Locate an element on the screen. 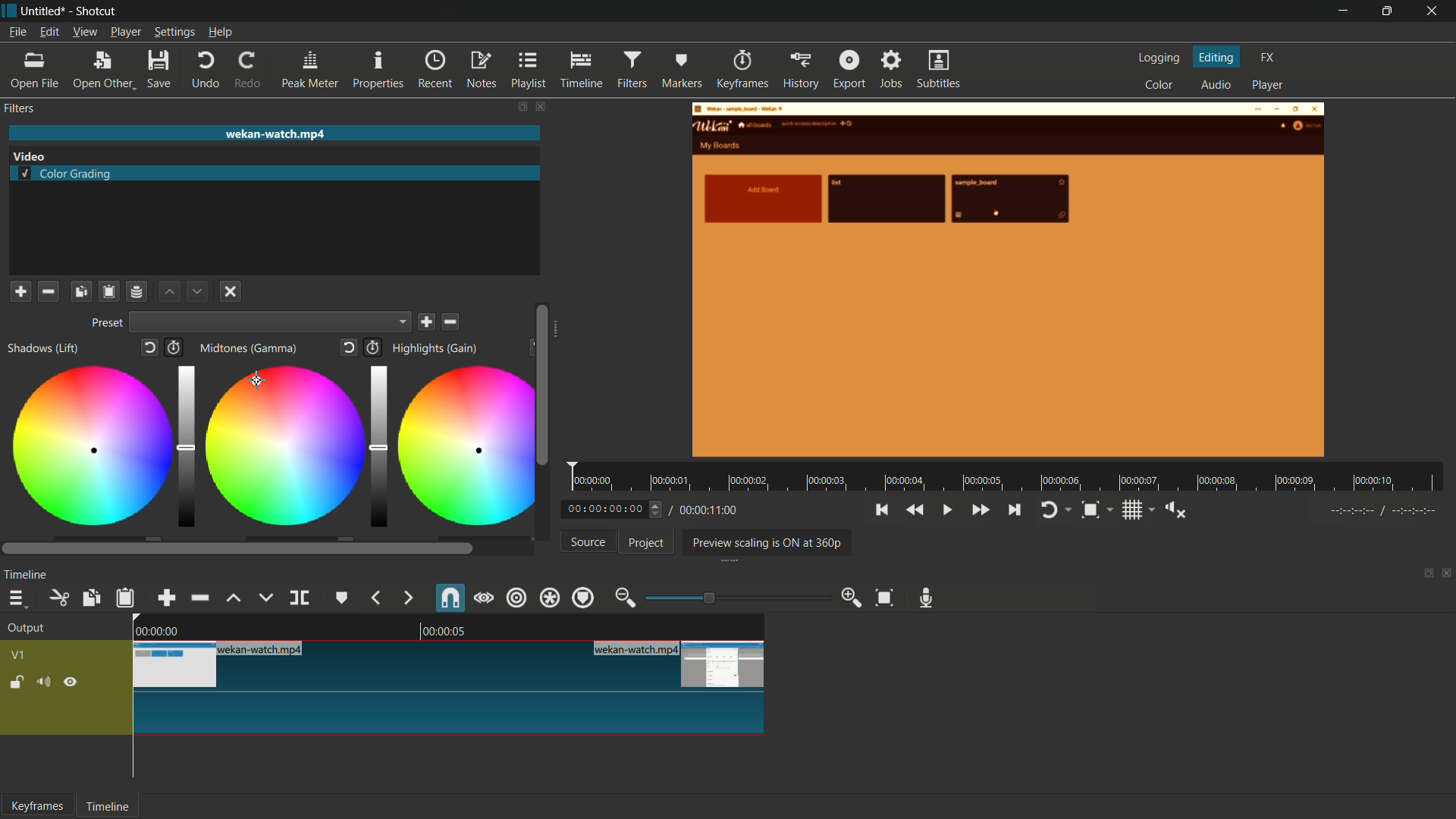 The width and height of the screenshot is (1456, 819). zoom timeline to fit is located at coordinates (885, 598).